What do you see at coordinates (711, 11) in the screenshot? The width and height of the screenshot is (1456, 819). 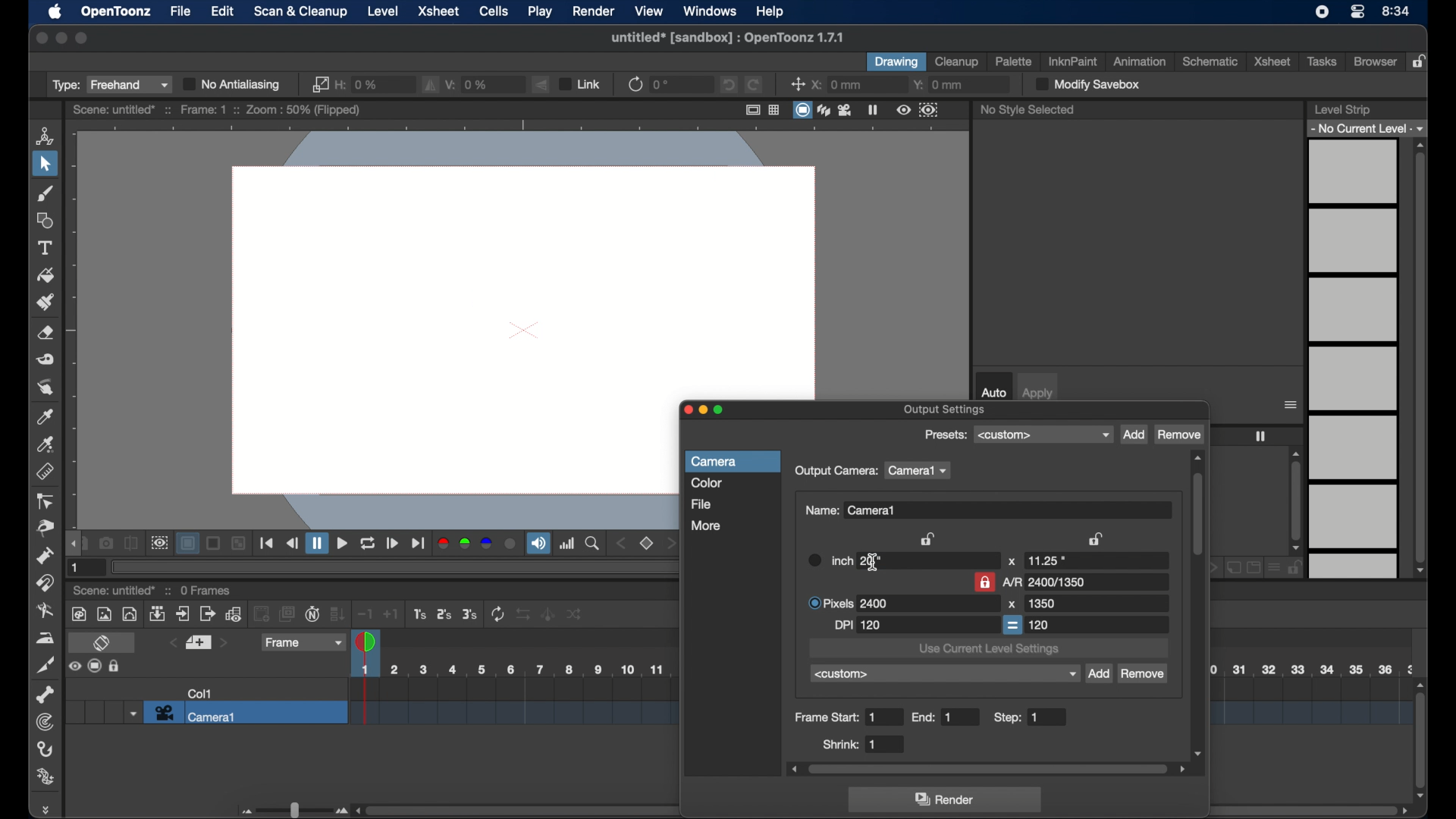 I see `windows` at bounding box center [711, 11].